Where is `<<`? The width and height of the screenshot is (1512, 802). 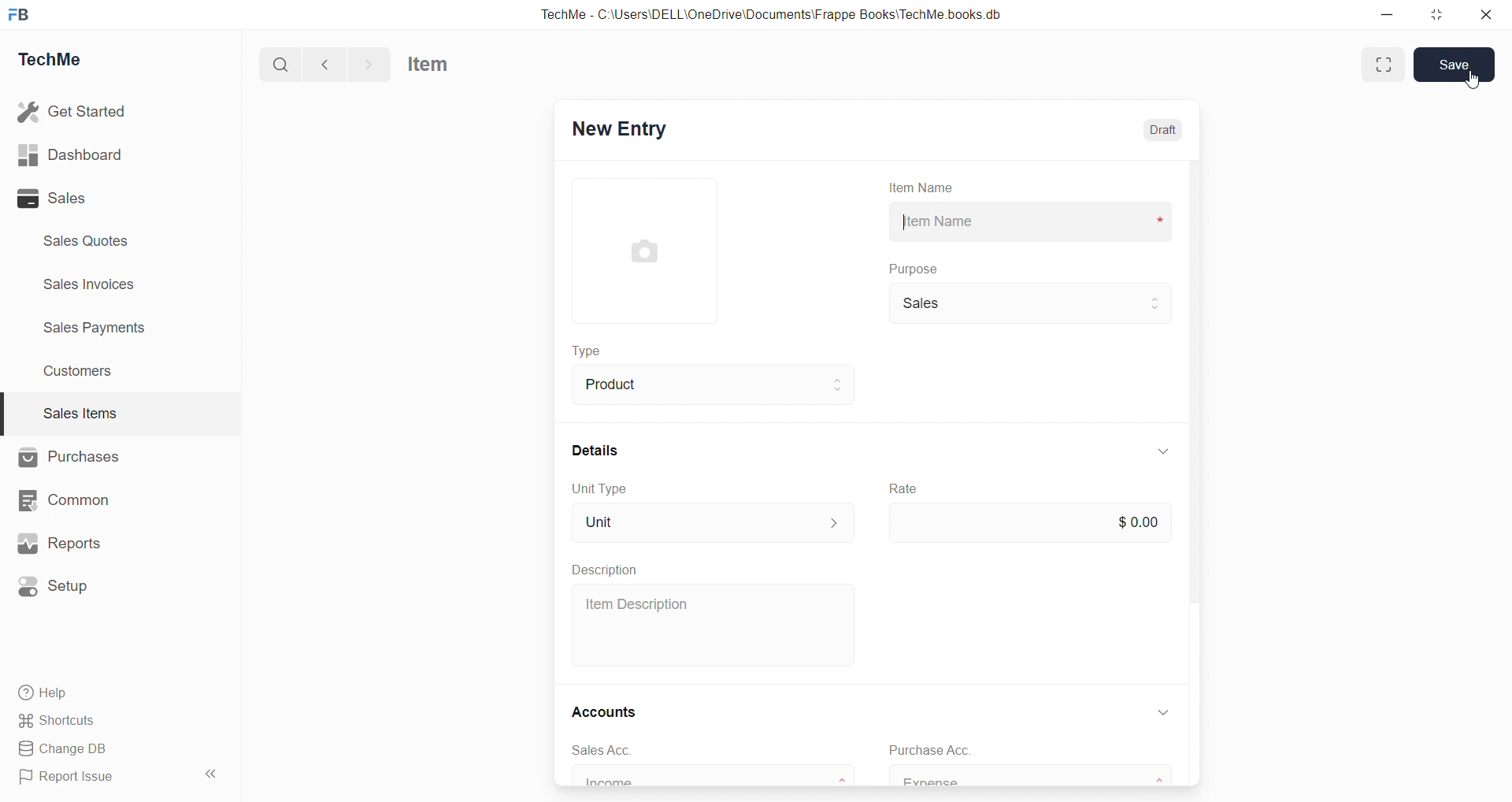
<< is located at coordinates (209, 774).